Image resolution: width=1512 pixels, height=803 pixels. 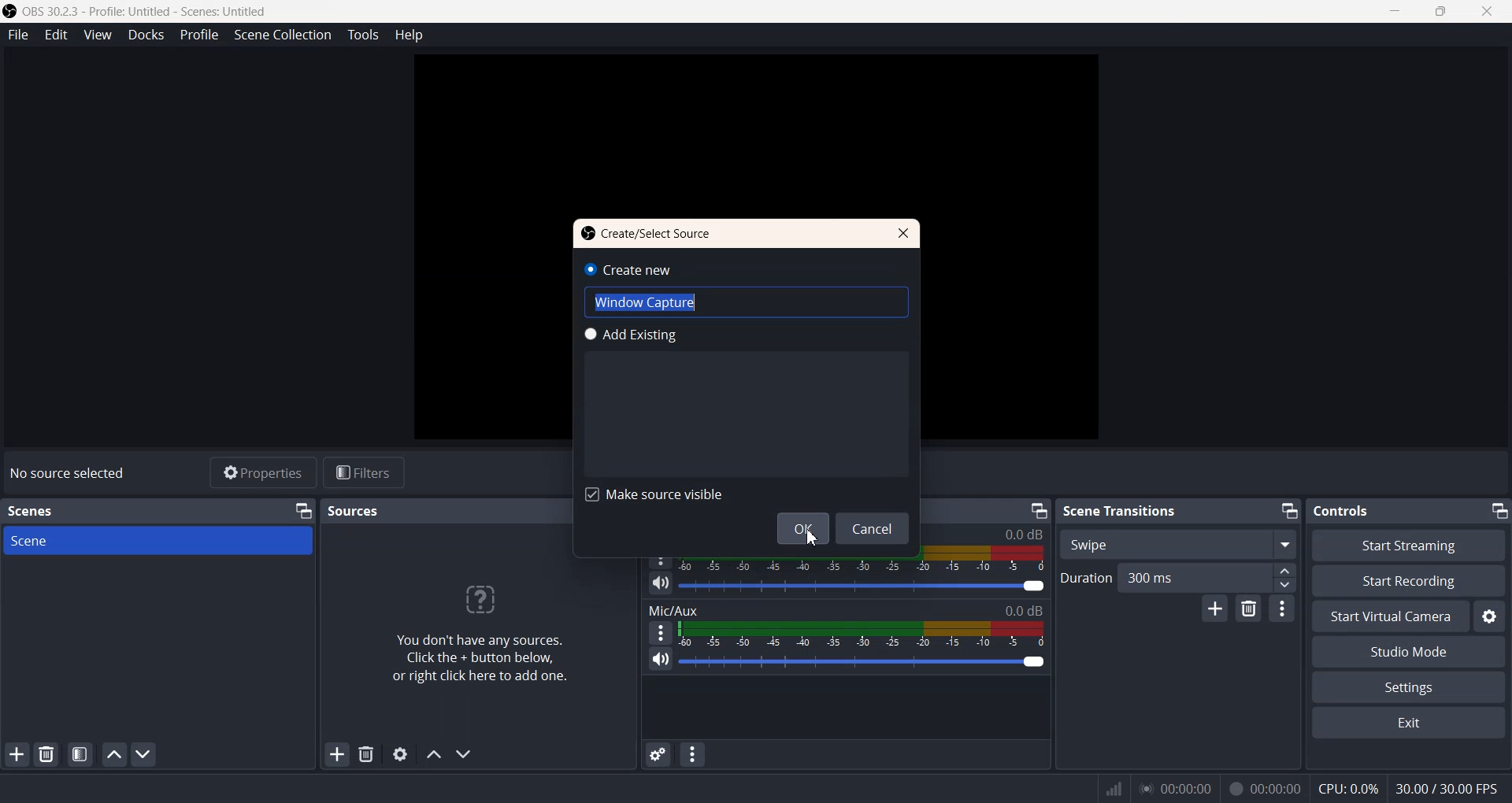 I want to click on No source selected, so click(x=72, y=472).